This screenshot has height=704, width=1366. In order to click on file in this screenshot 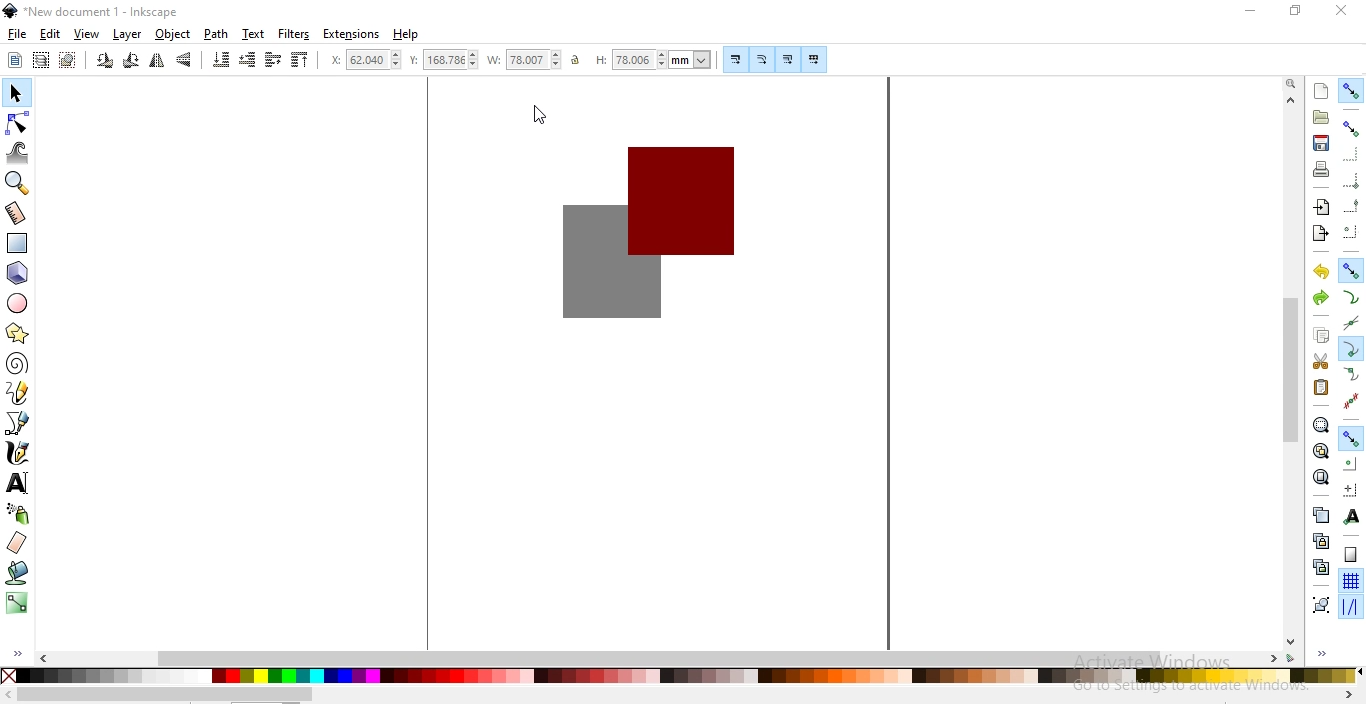, I will do `click(18, 35)`.